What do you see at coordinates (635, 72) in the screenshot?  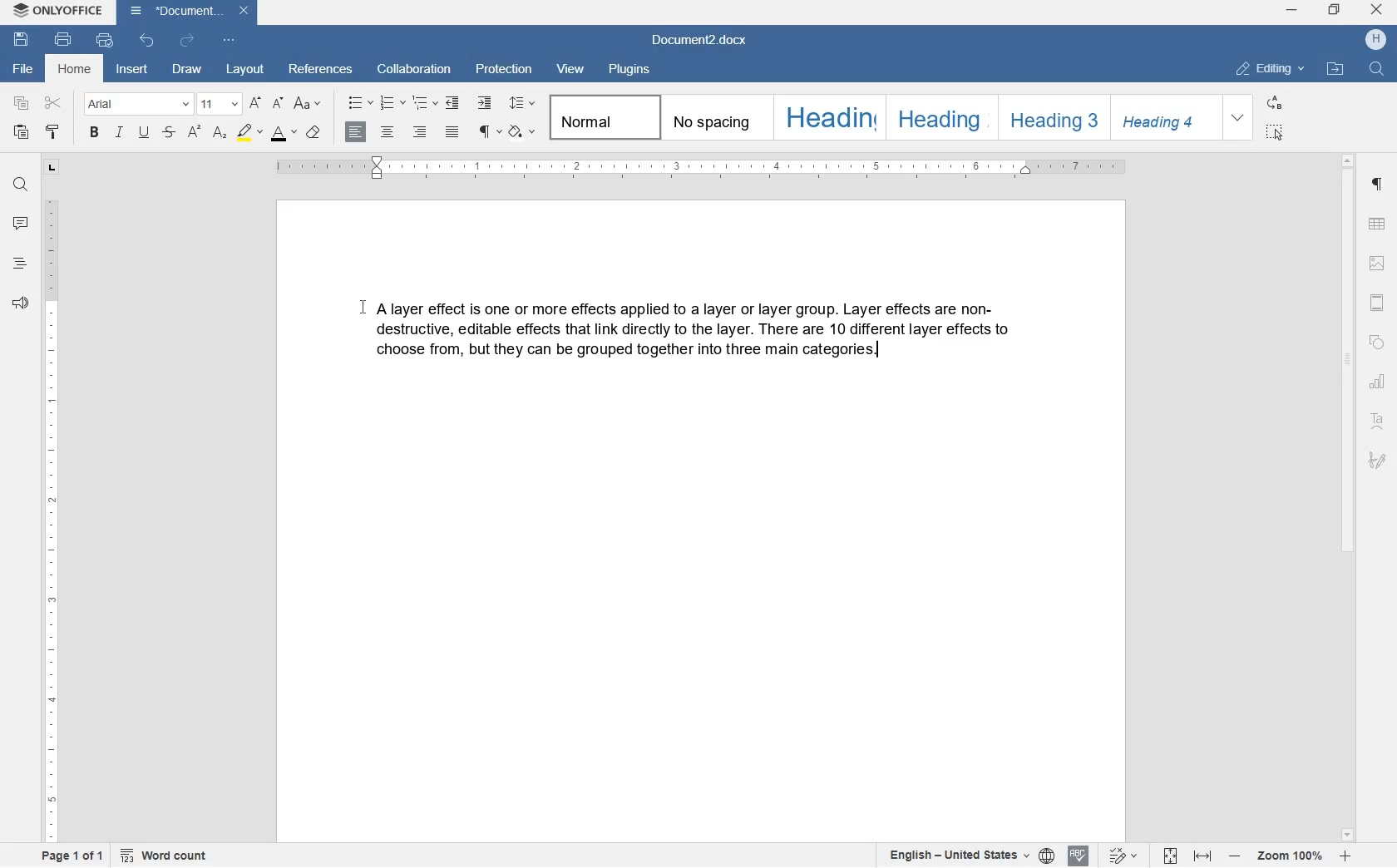 I see `plugins` at bounding box center [635, 72].